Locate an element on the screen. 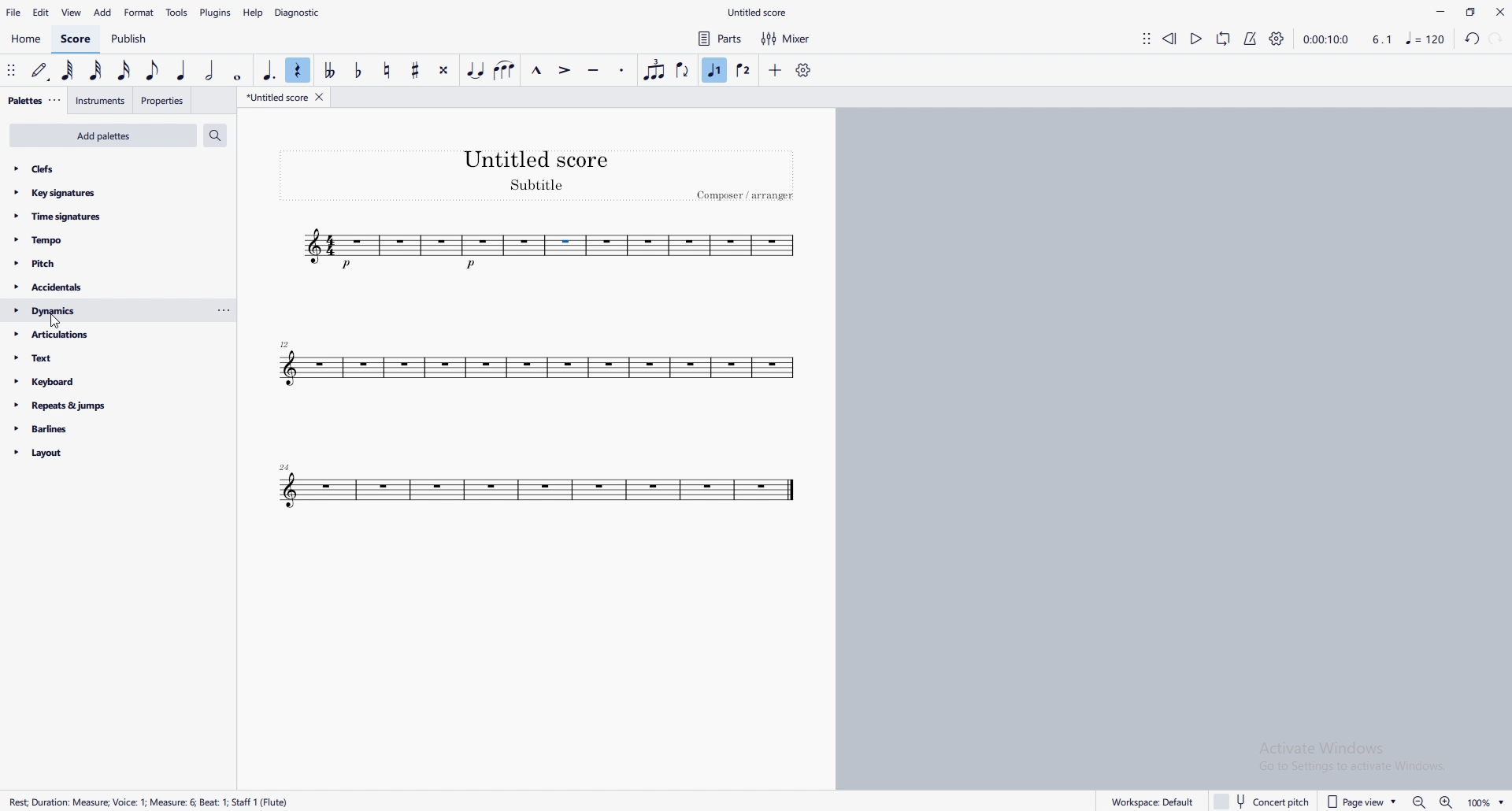  rest is located at coordinates (299, 69).